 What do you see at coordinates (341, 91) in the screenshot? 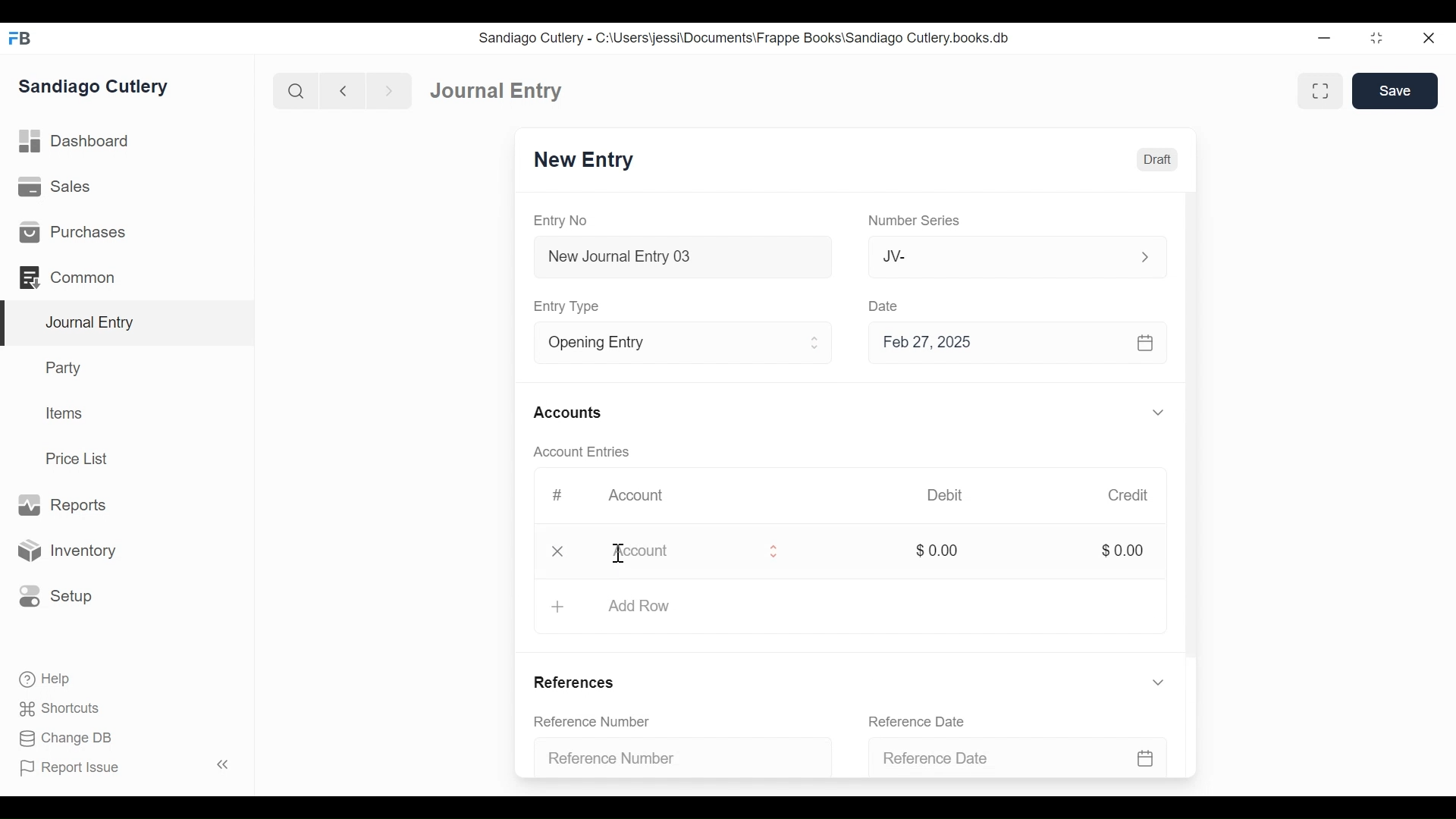
I see `Navigate back` at bounding box center [341, 91].